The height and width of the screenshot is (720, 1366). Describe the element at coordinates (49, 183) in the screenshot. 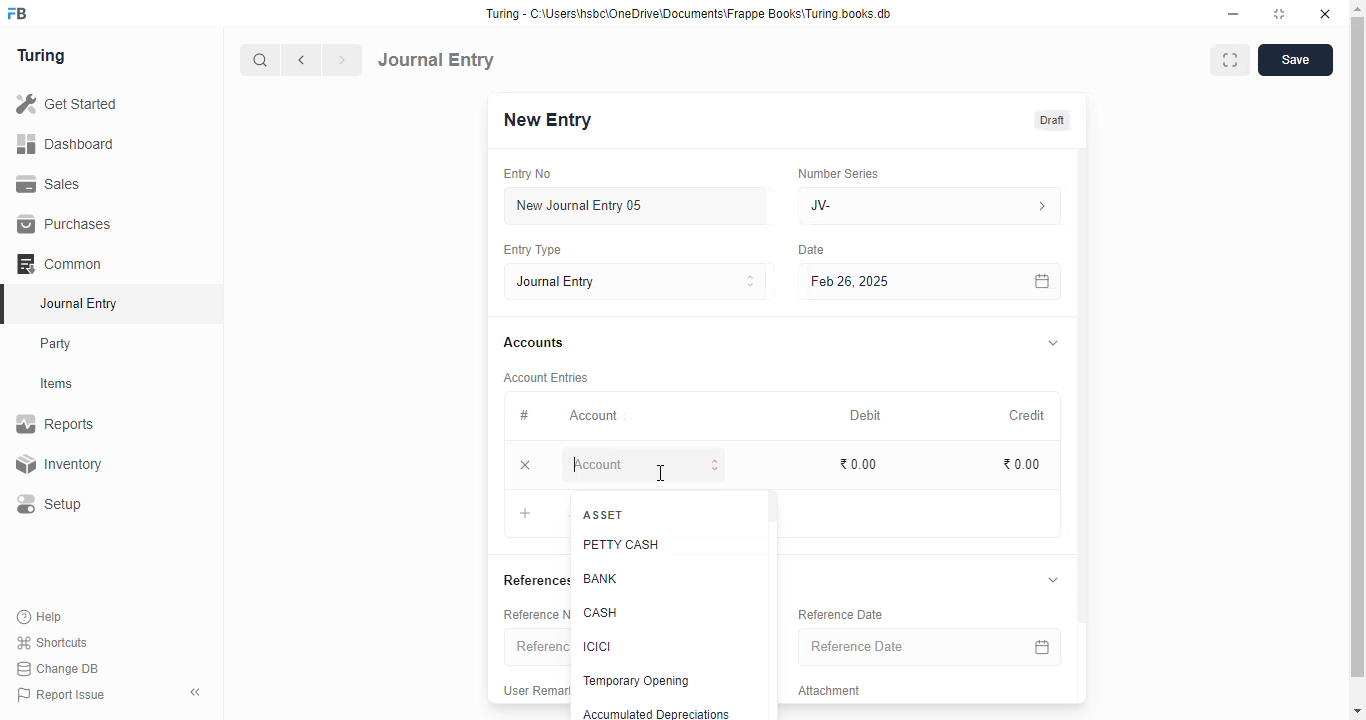

I see `sales` at that location.